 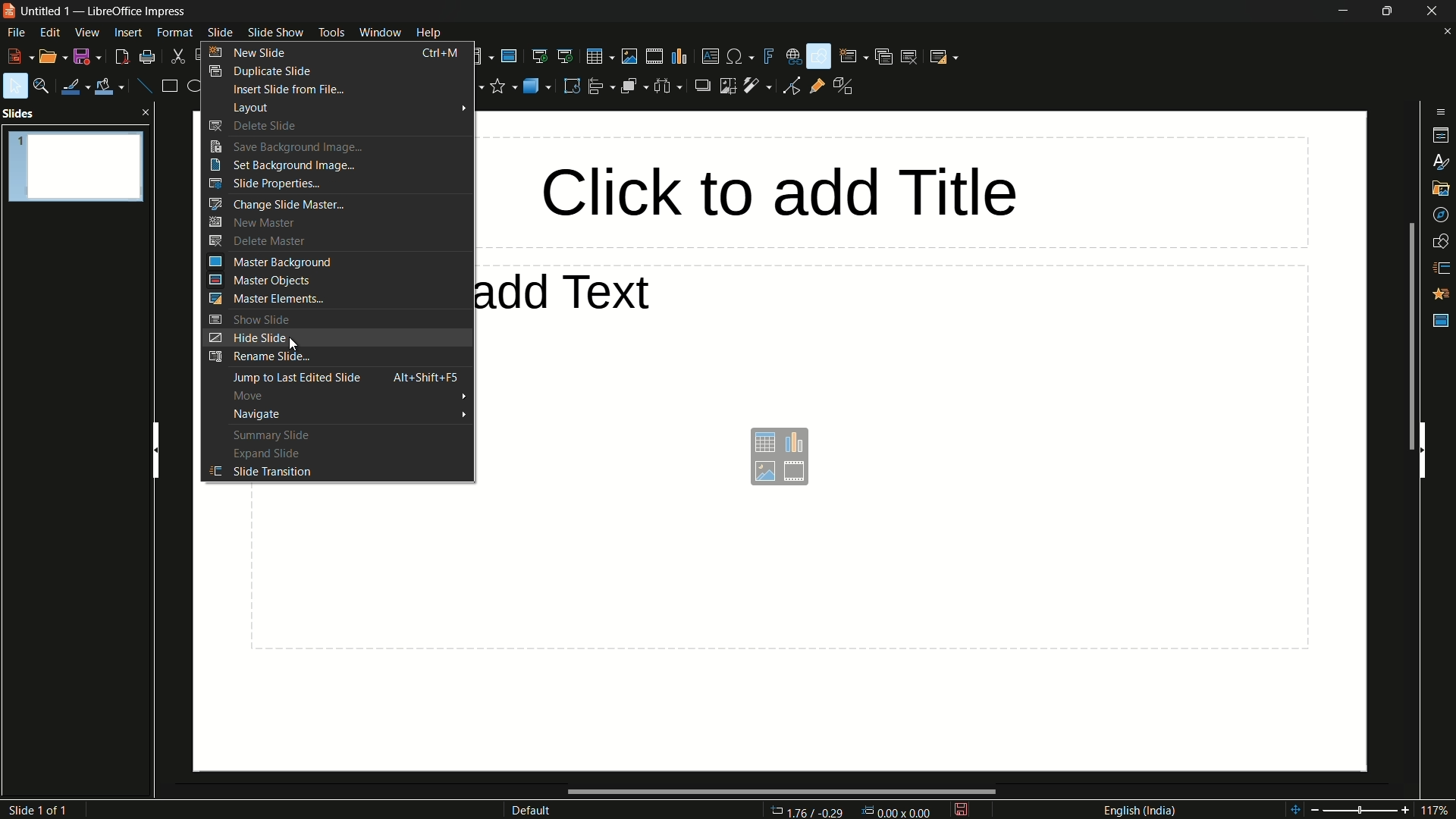 I want to click on maximize, so click(x=1386, y=11).